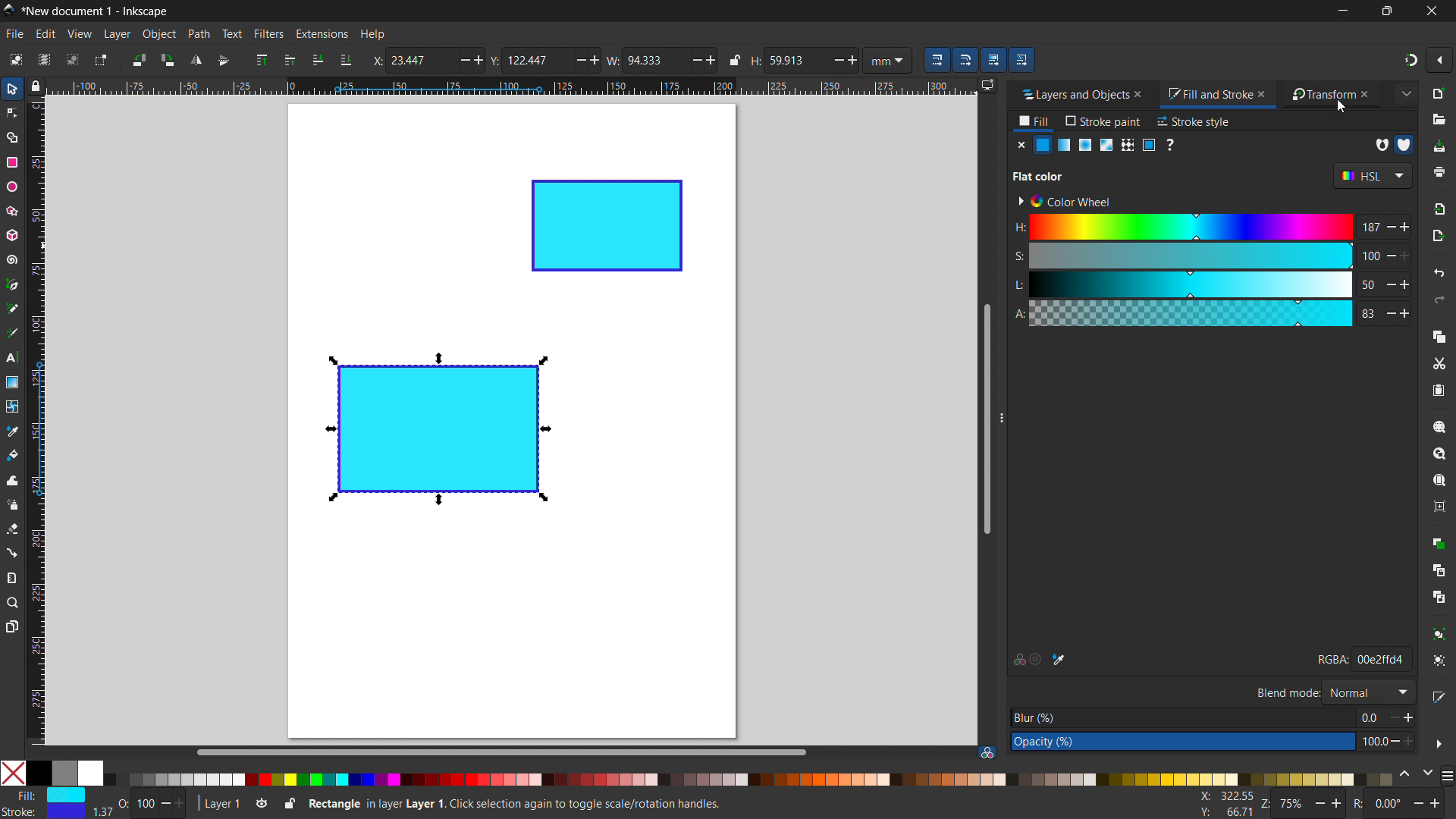 This screenshot has height=819, width=1456. What do you see at coordinates (11, 552) in the screenshot?
I see `connector tool` at bounding box center [11, 552].